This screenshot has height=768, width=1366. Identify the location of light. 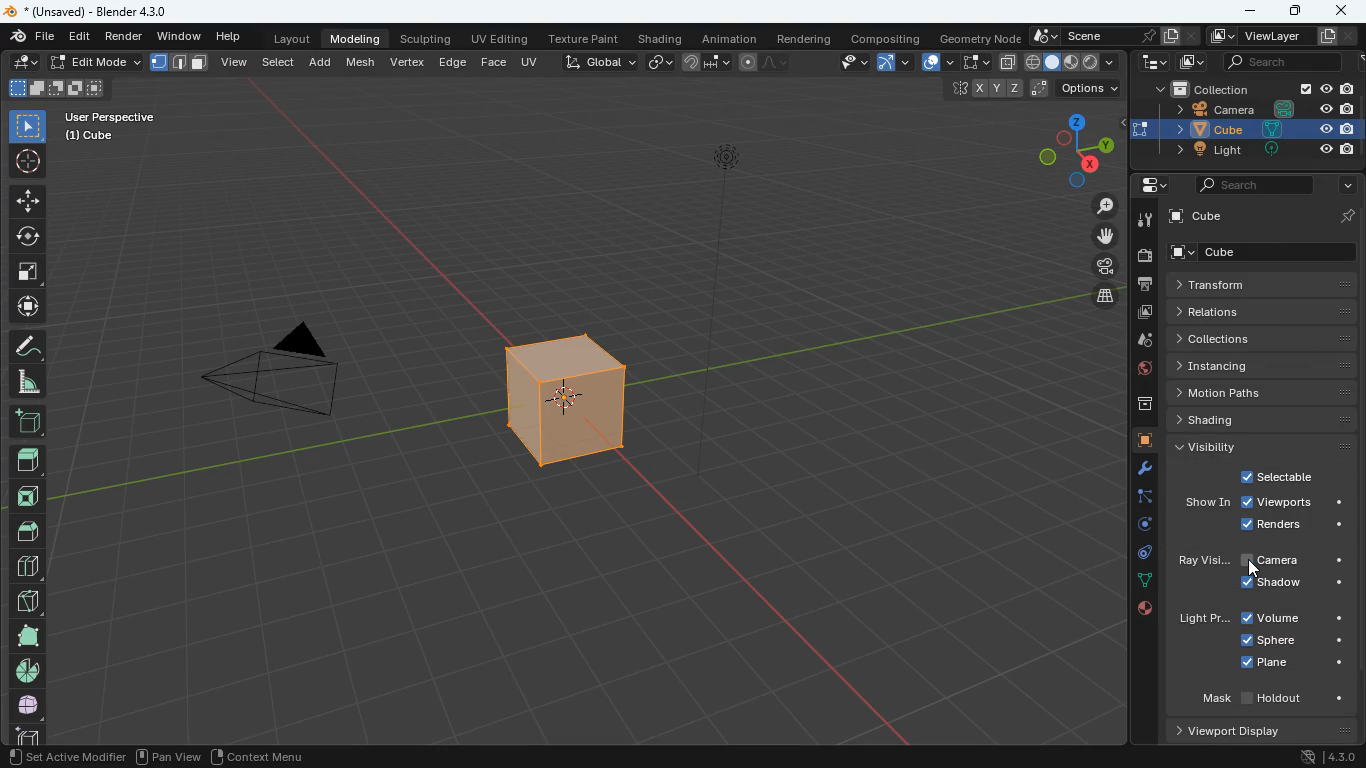
(1259, 150).